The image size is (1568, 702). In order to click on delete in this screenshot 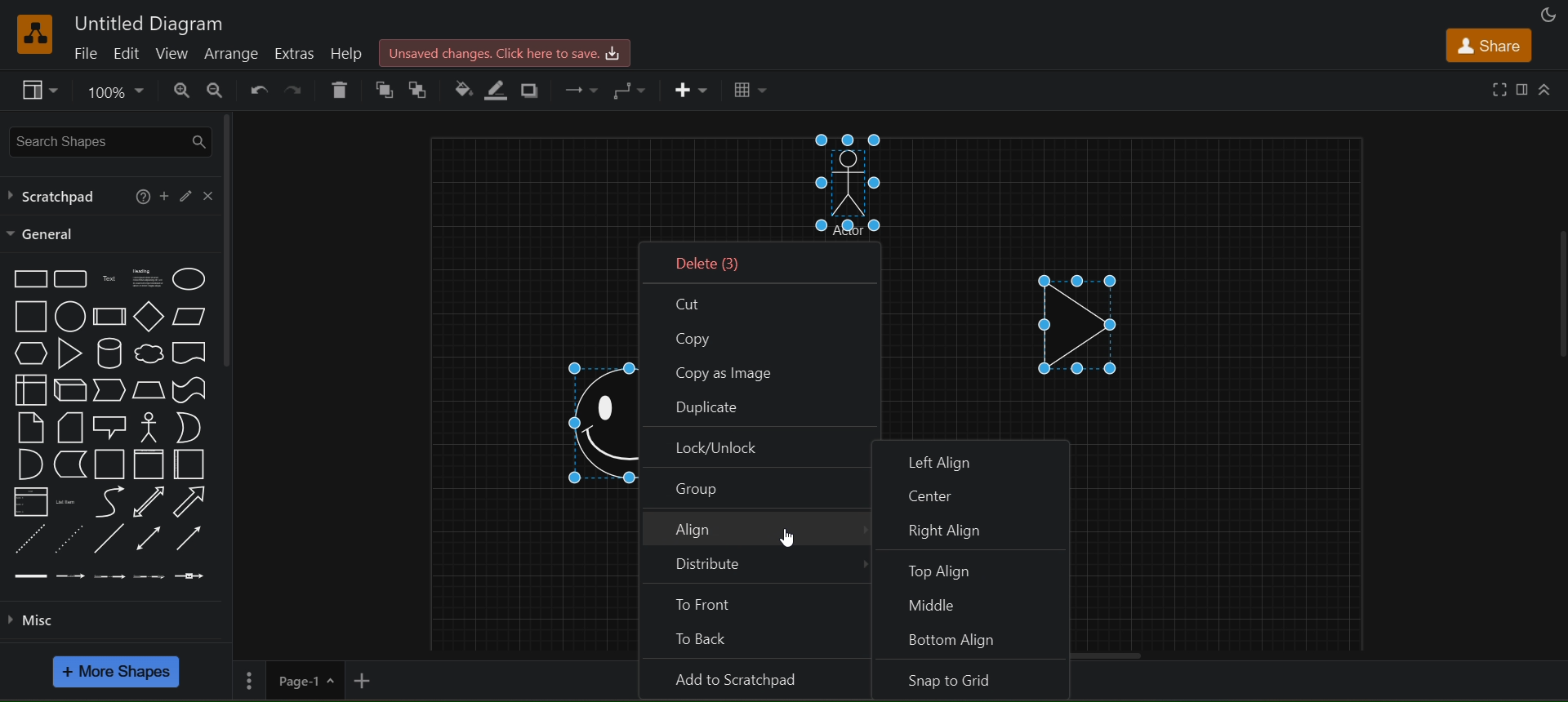, I will do `click(765, 260)`.